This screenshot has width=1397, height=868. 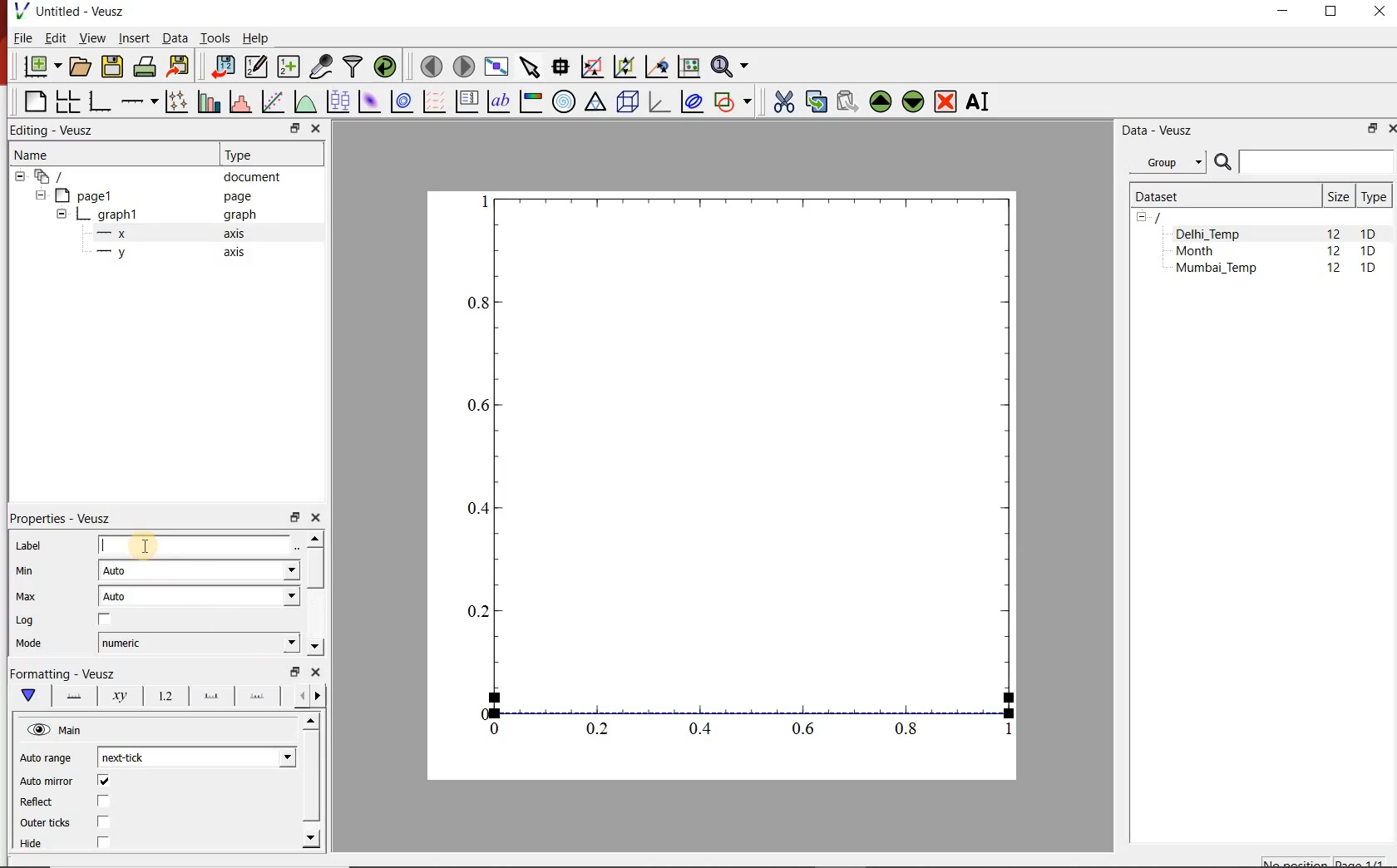 I want to click on image color bar, so click(x=531, y=101).